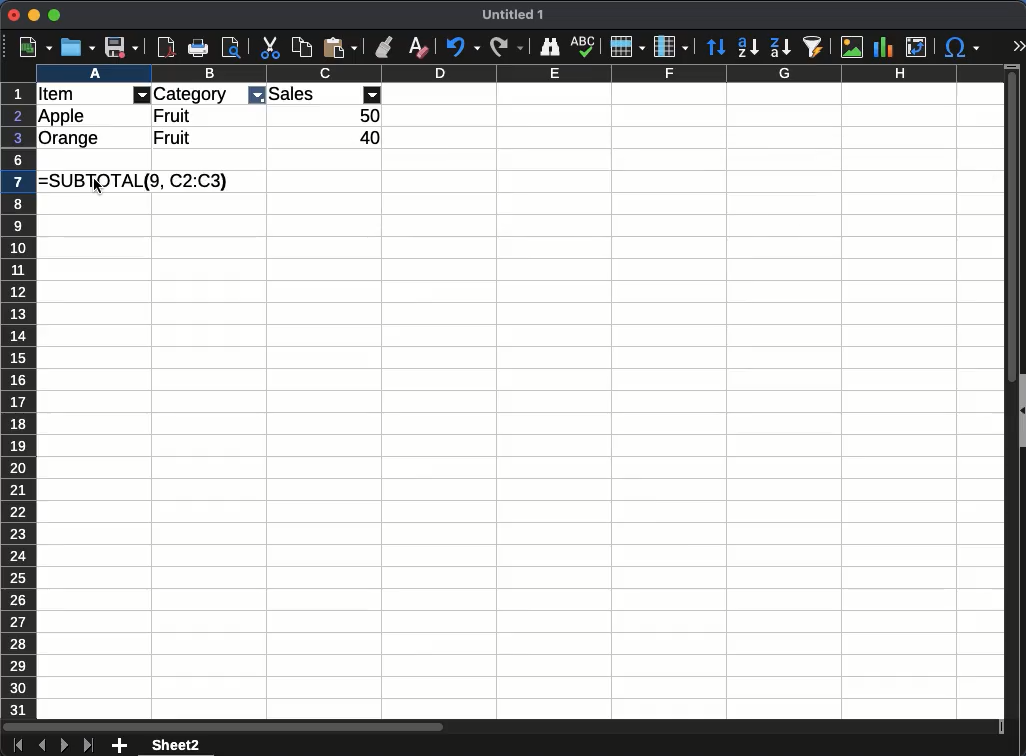  I want to click on save, so click(123, 47).